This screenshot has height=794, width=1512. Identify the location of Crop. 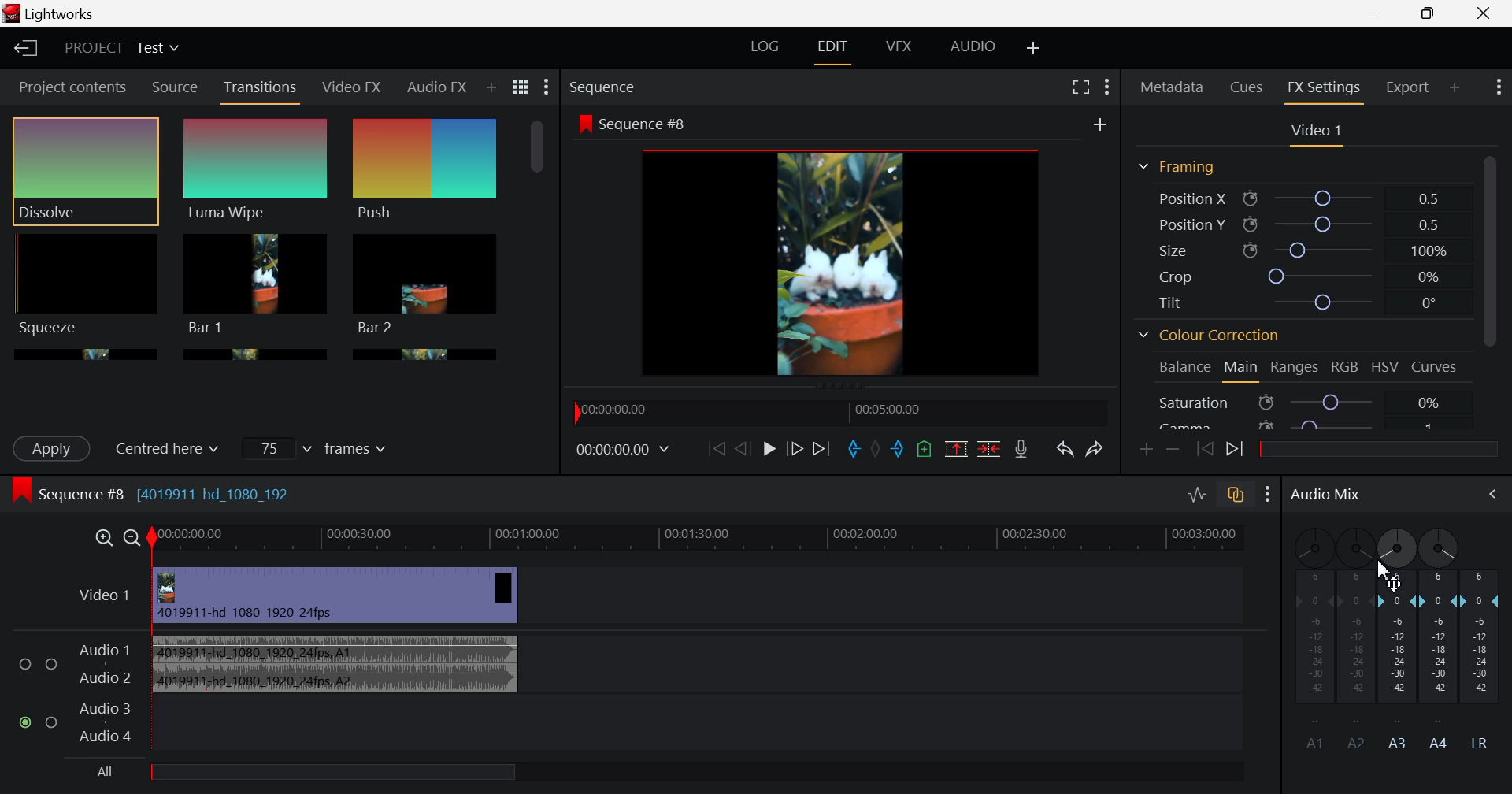
(1303, 275).